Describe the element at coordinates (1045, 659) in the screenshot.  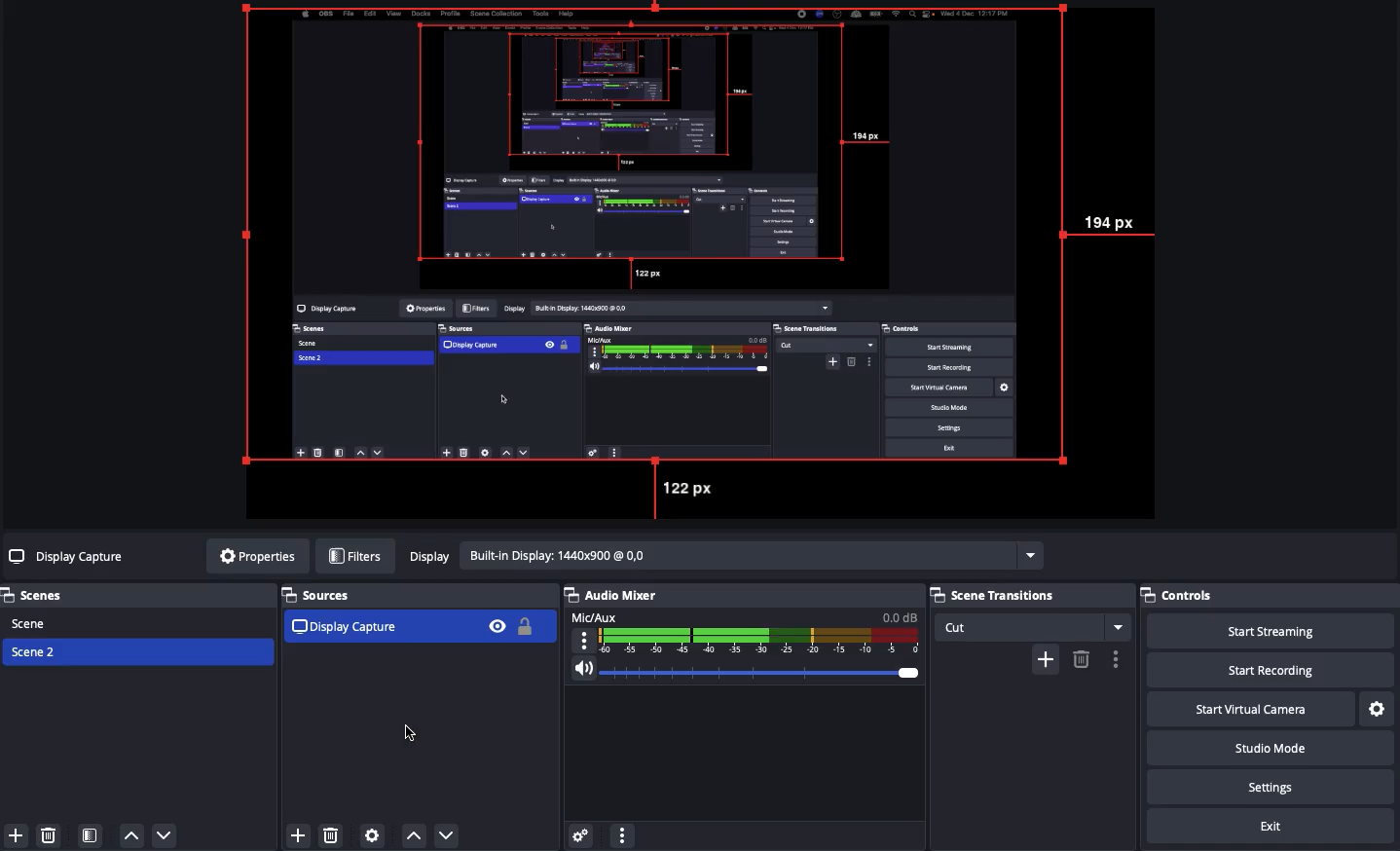
I see `add` at that location.